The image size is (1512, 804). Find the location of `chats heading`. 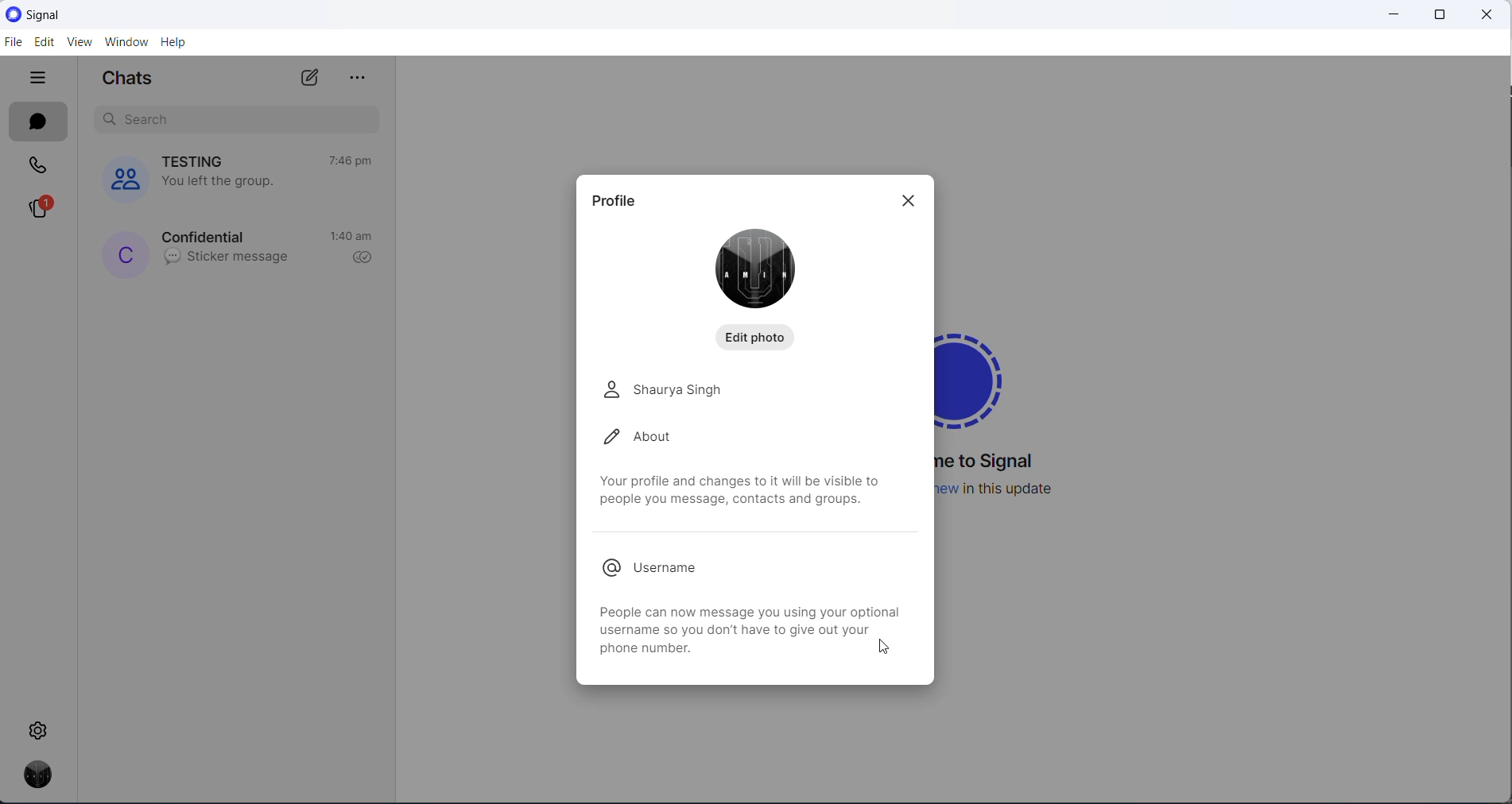

chats heading is located at coordinates (134, 81).